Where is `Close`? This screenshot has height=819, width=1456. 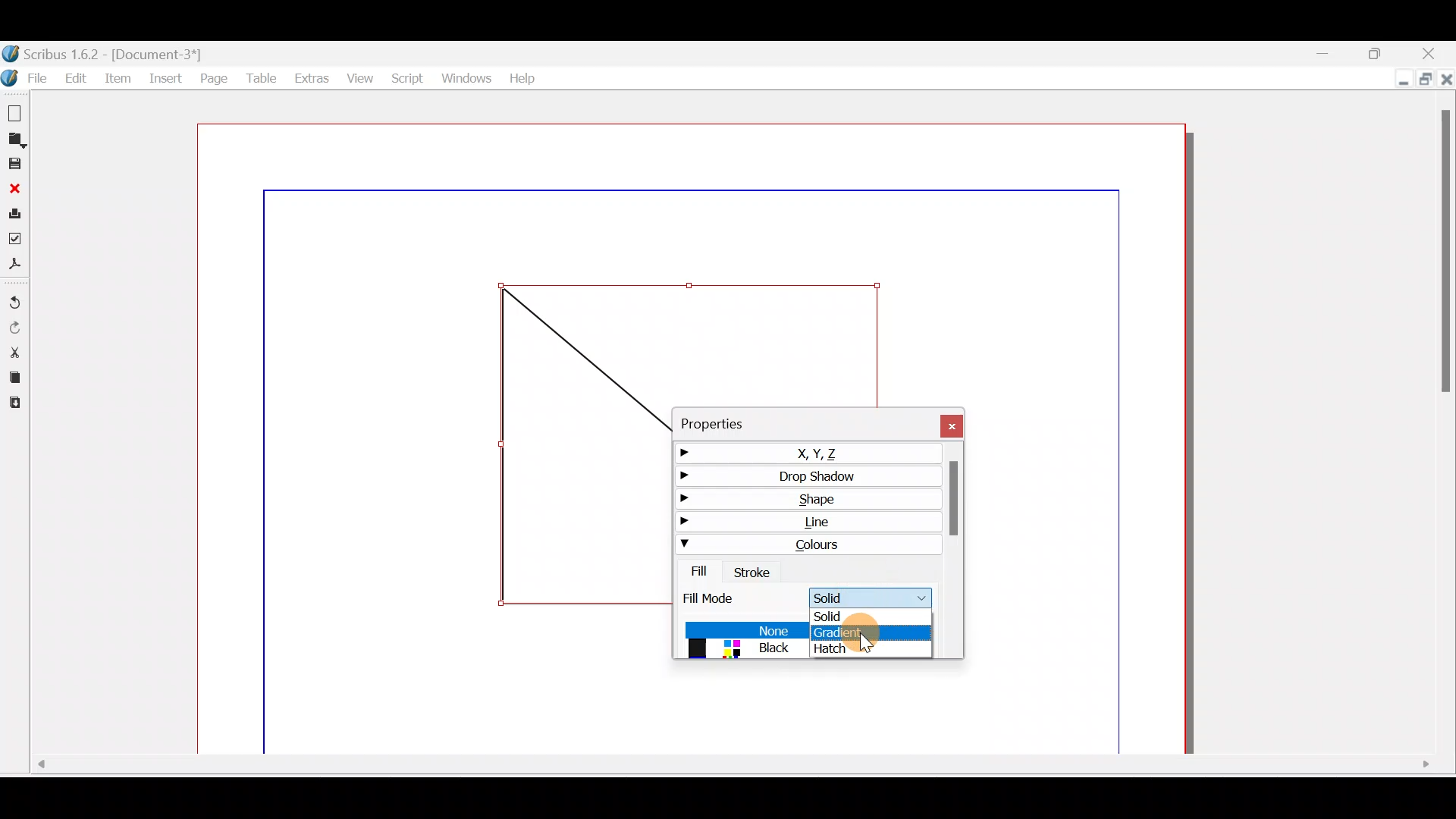 Close is located at coordinates (1436, 55).